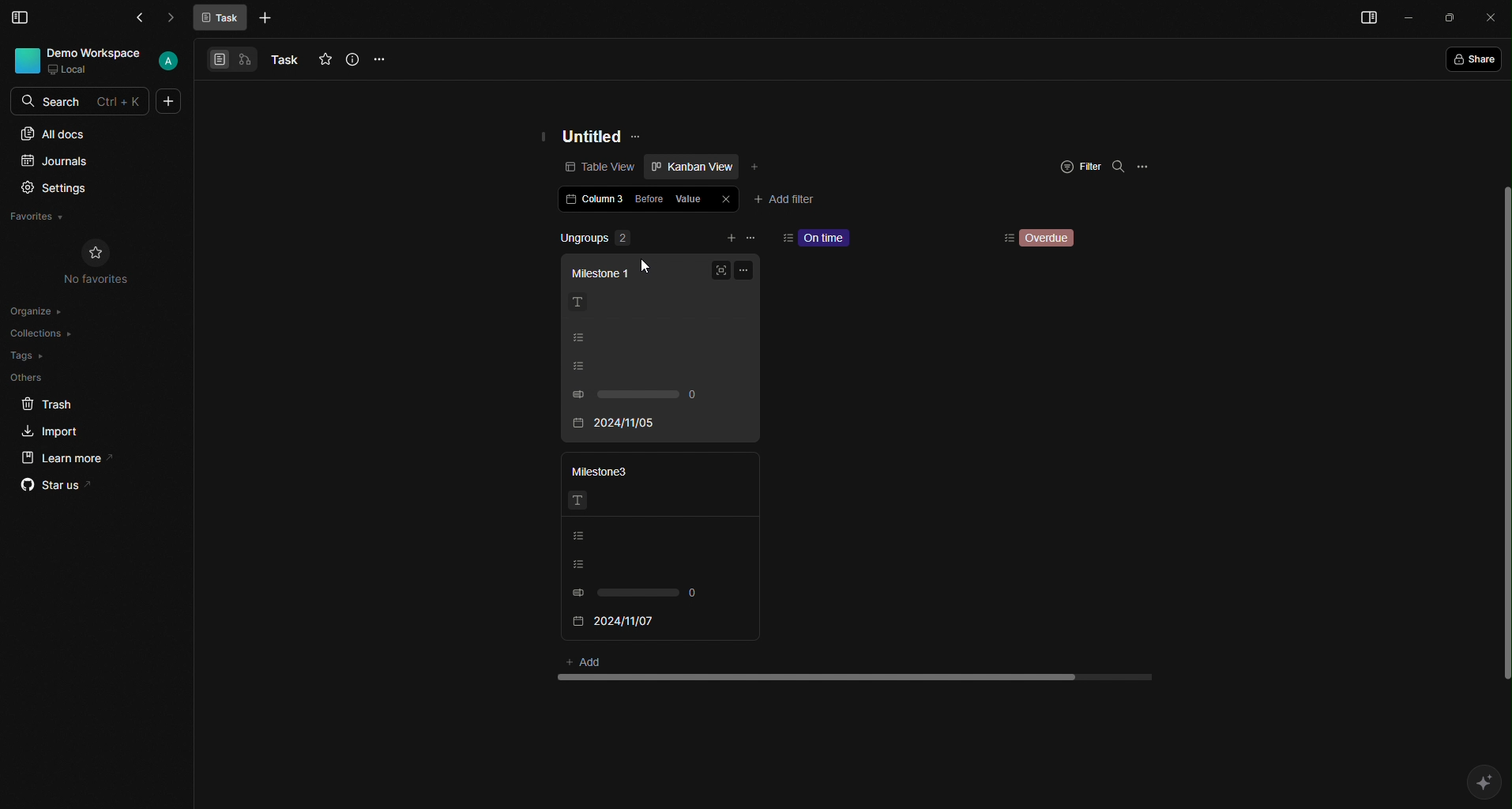 The image size is (1512, 809). I want to click on Untitled, so click(592, 134).